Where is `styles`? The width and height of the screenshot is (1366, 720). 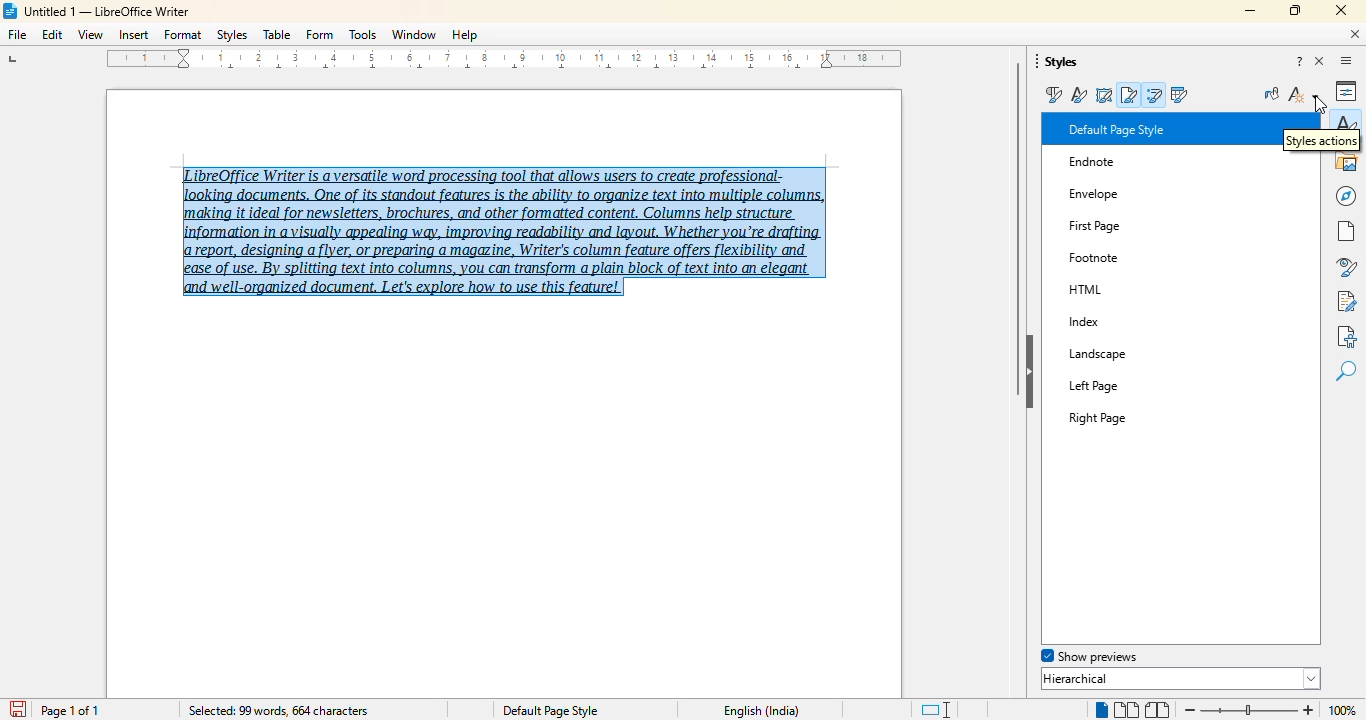 styles is located at coordinates (1059, 62).